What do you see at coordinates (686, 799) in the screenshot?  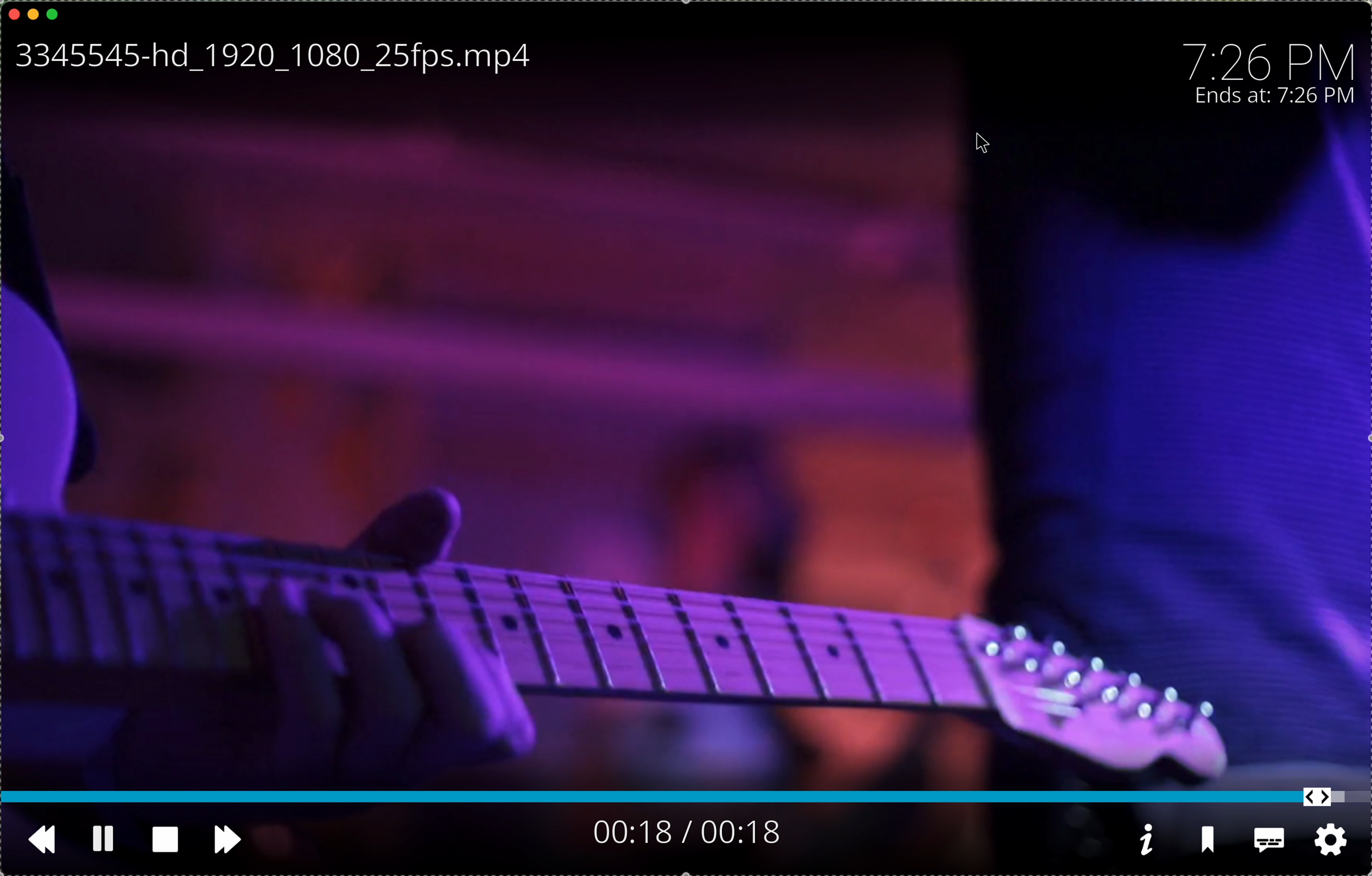 I see `timeline` at bounding box center [686, 799].